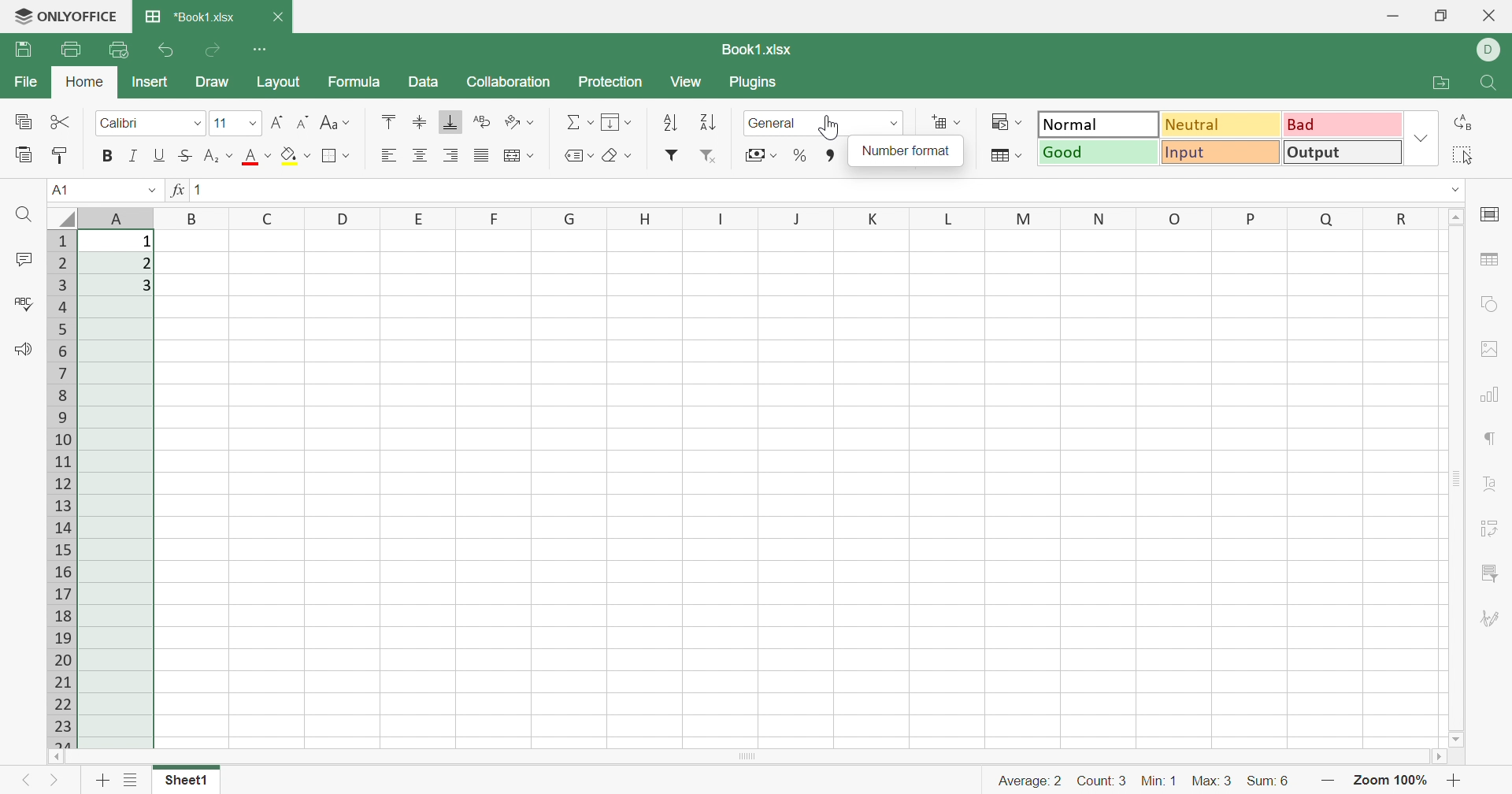  Describe the element at coordinates (480, 154) in the screenshot. I see `Justified` at that location.